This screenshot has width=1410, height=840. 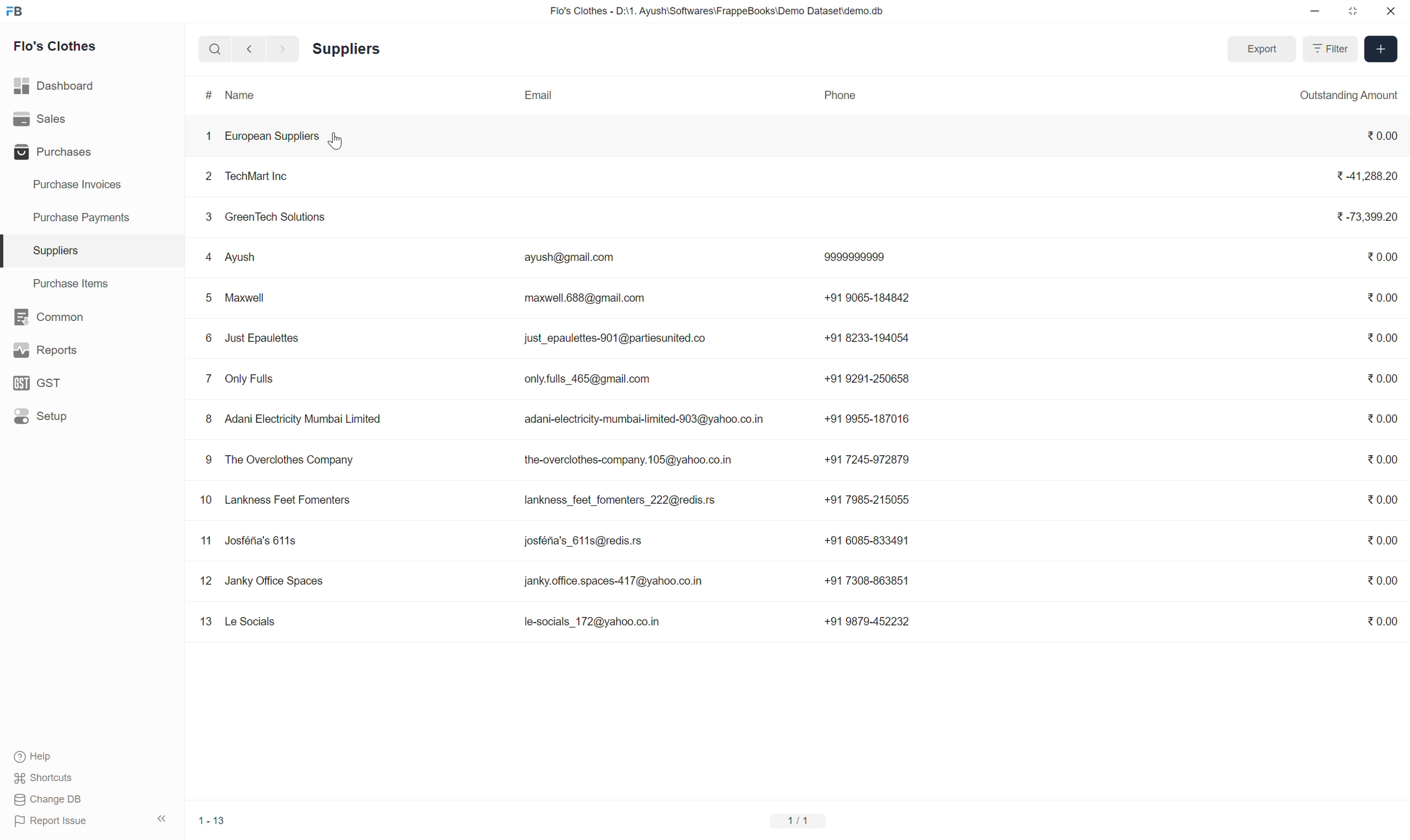 What do you see at coordinates (266, 538) in the screenshot?
I see `Josféna's 611s` at bounding box center [266, 538].